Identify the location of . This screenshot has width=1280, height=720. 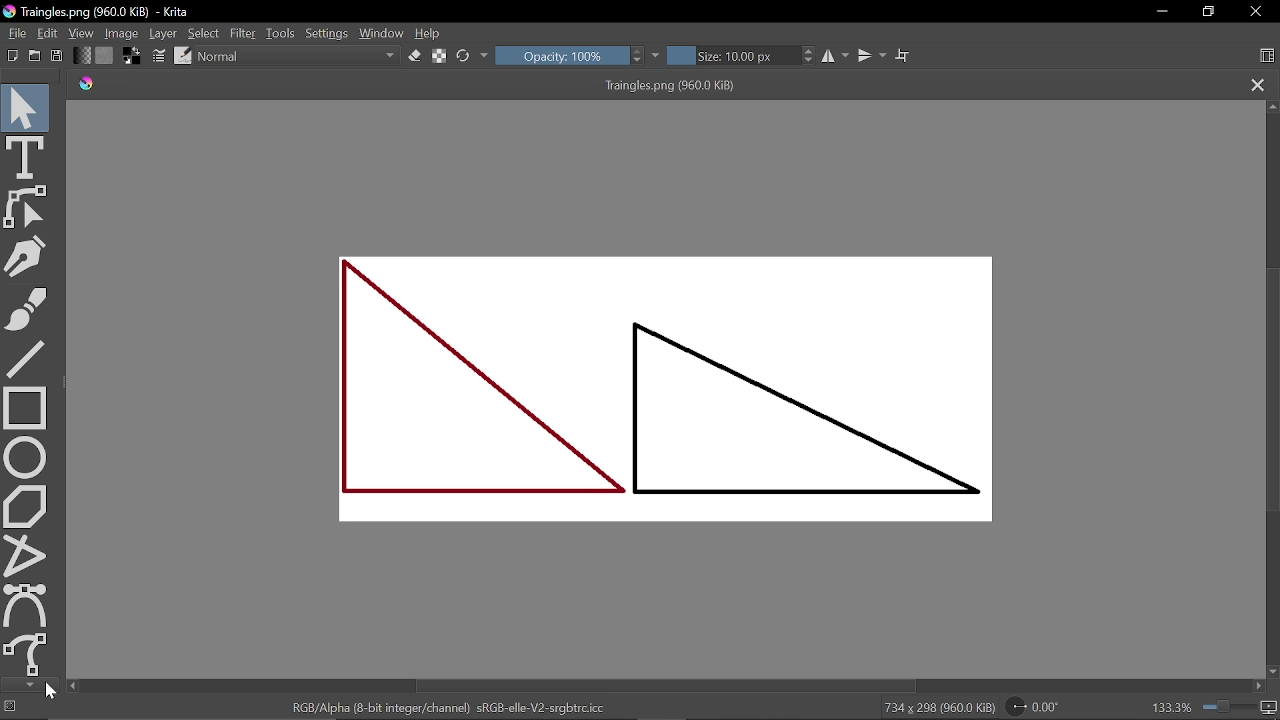
(29, 1220).